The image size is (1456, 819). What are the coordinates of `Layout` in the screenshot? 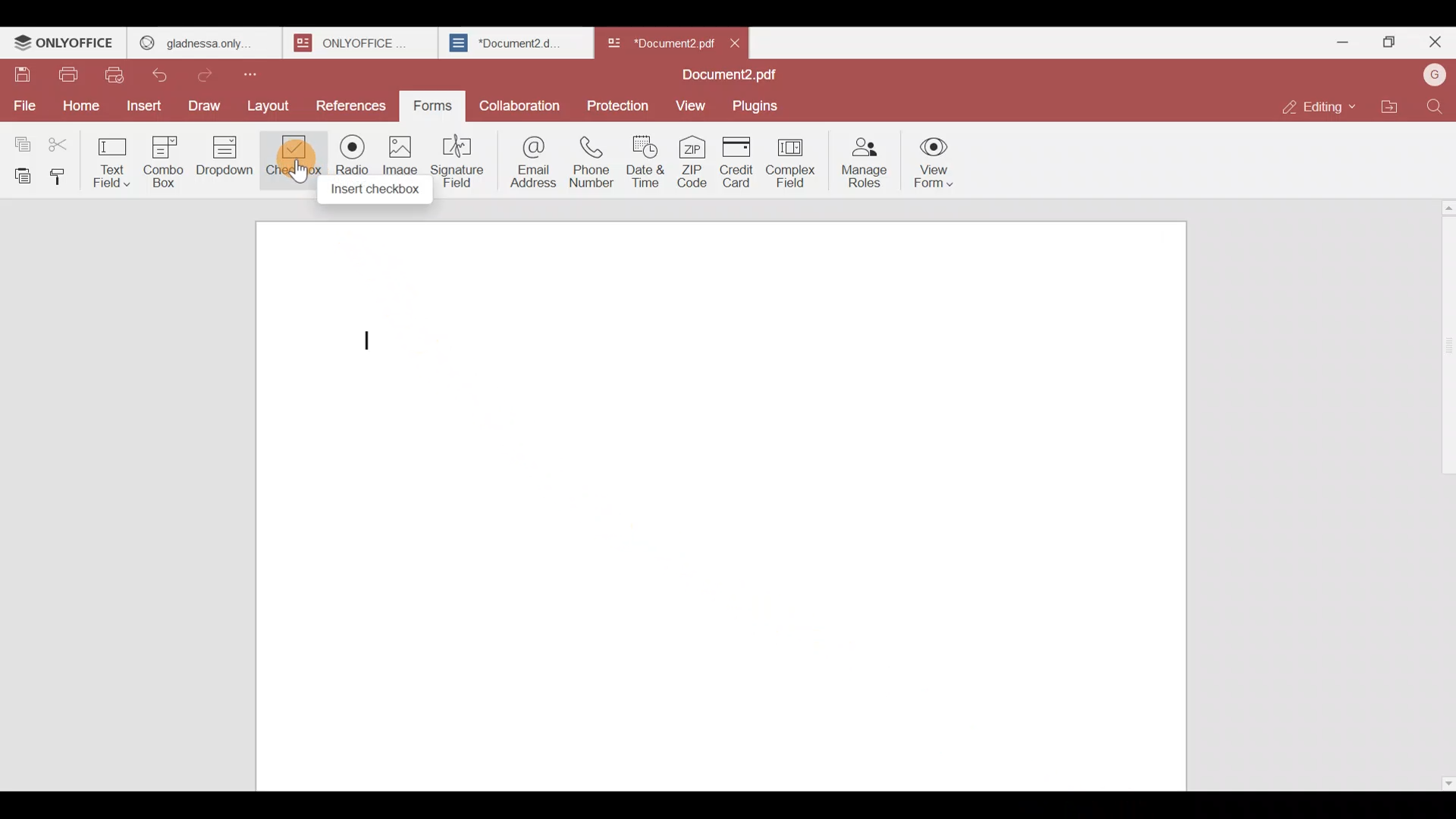 It's located at (275, 104).